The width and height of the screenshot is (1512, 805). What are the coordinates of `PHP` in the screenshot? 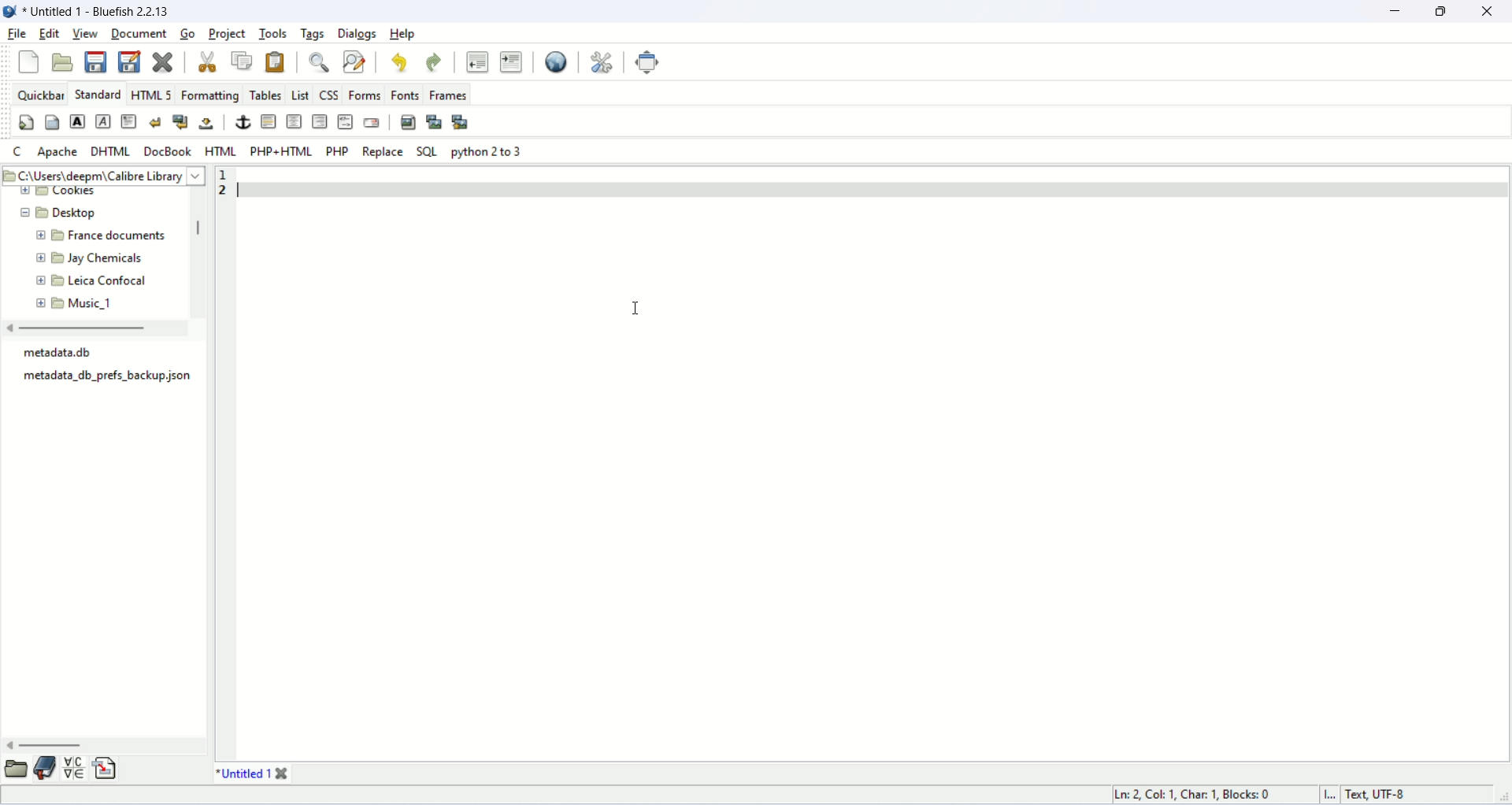 It's located at (336, 150).